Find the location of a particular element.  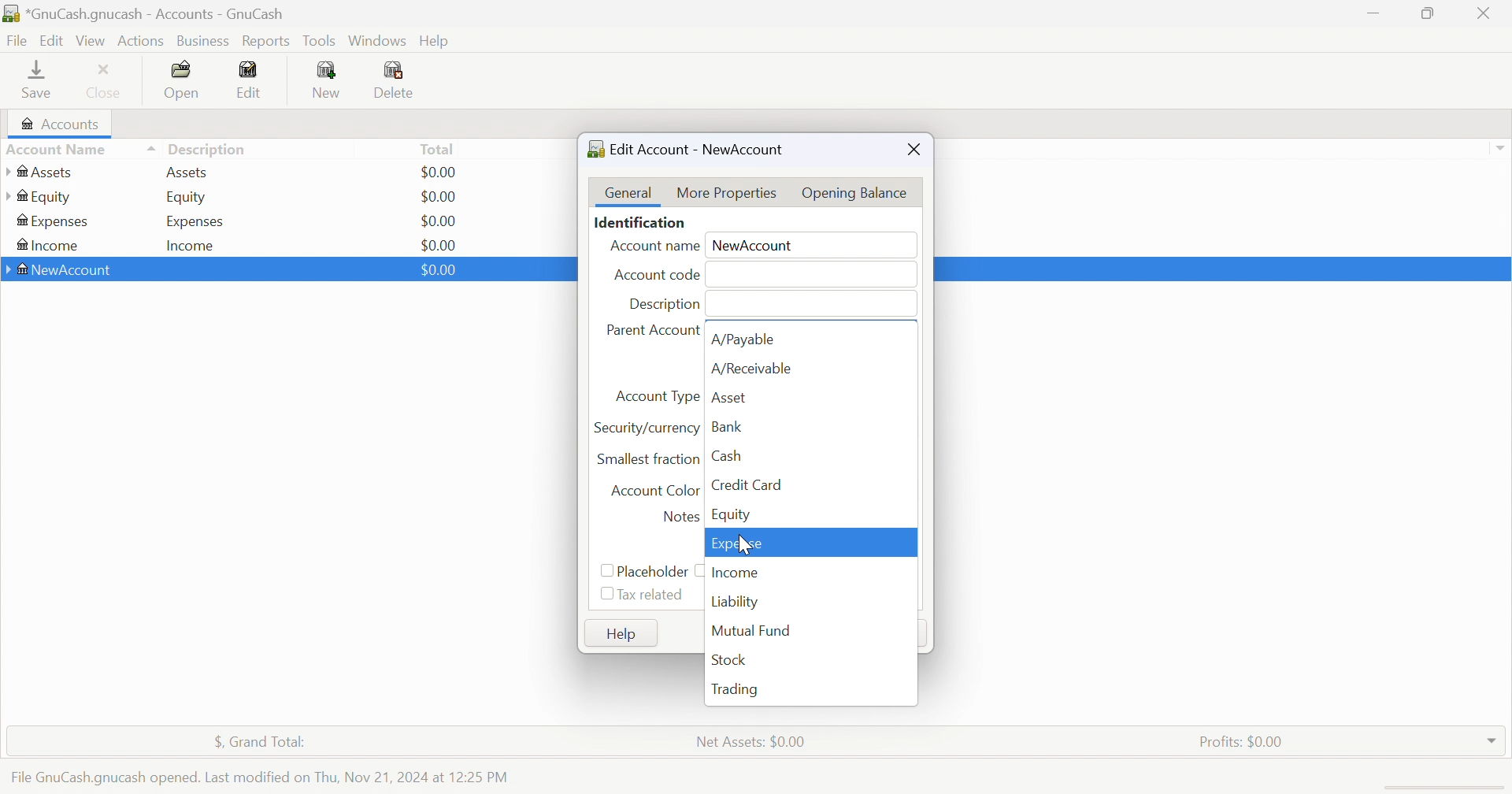

Business is located at coordinates (206, 42).